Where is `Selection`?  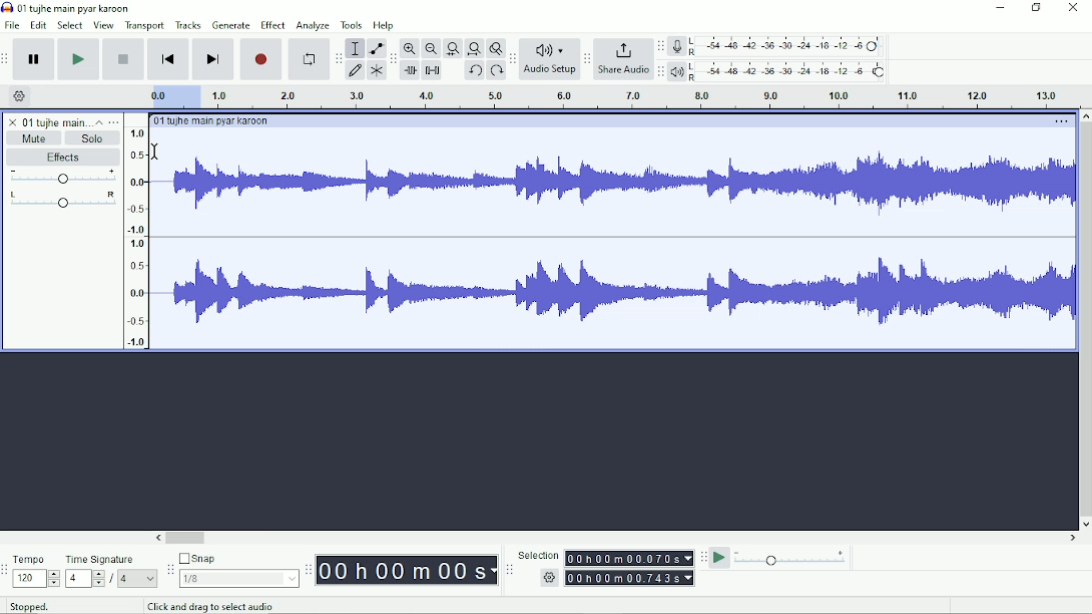 Selection is located at coordinates (538, 555).